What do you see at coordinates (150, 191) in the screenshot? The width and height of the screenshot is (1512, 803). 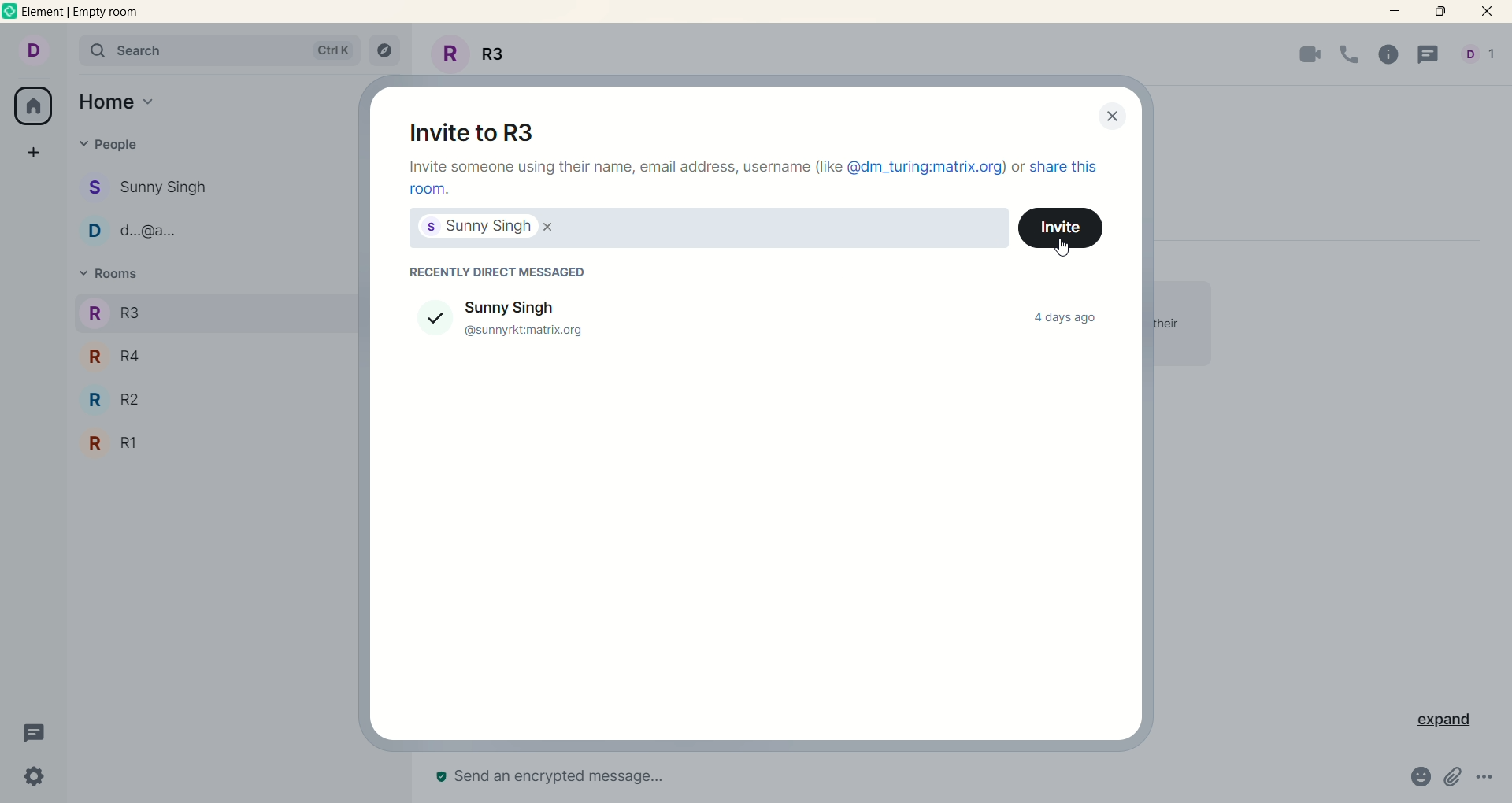 I see `S Sunny Singh` at bounding box center [150, 191].